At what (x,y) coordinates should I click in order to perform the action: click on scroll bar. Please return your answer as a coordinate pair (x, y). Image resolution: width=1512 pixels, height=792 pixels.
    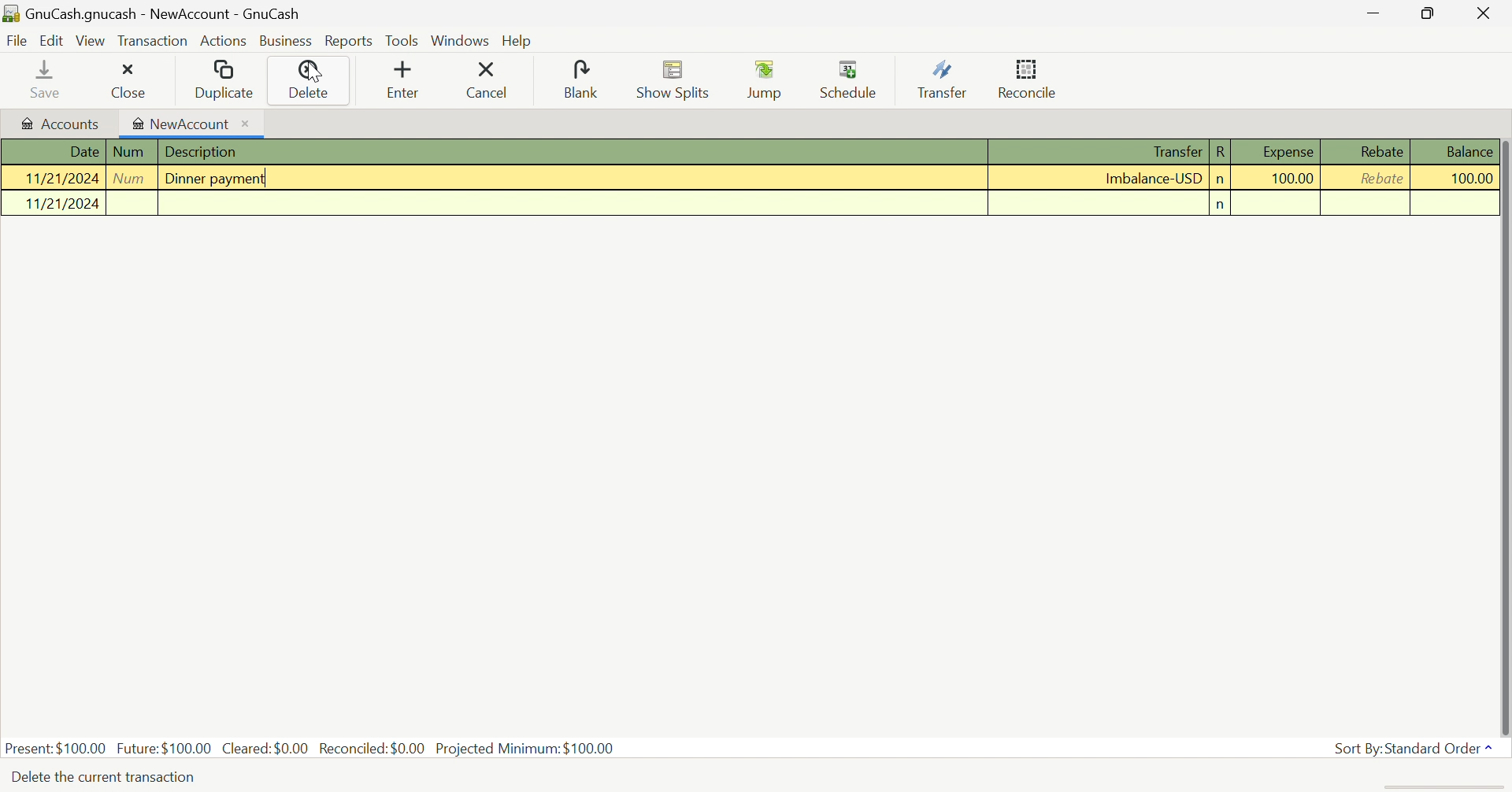
    Looking at the image, I should click on (1503, 439).